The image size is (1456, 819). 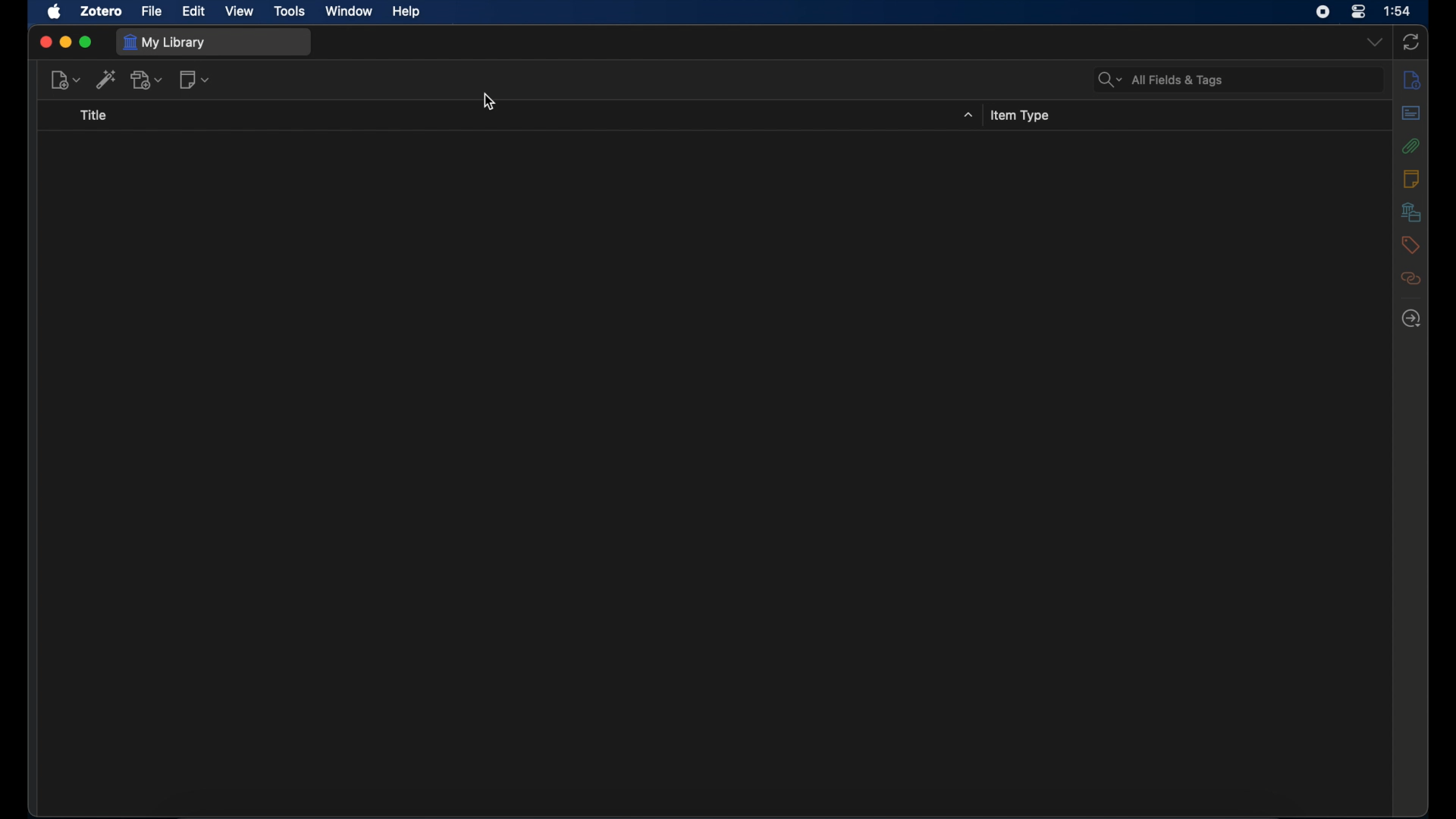 What do you see at coordinates (490, 102) in the screenshot?
I see `cursor` at bounding box center [490, 102].